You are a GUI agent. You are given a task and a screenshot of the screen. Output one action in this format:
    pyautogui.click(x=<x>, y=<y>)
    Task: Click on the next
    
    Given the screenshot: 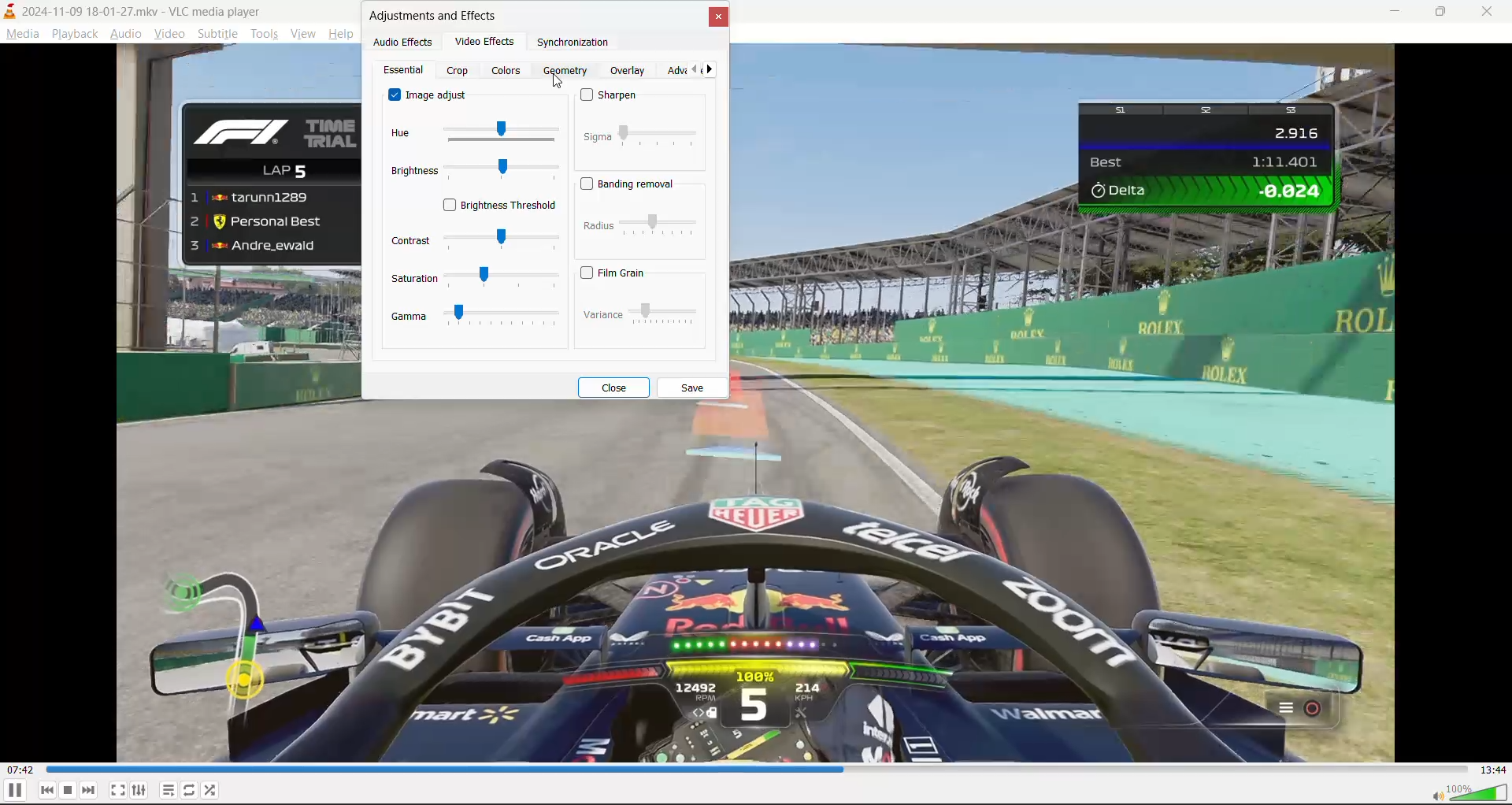 What is the action you would take?
    pyautogui.click(x=89, y=789)
    